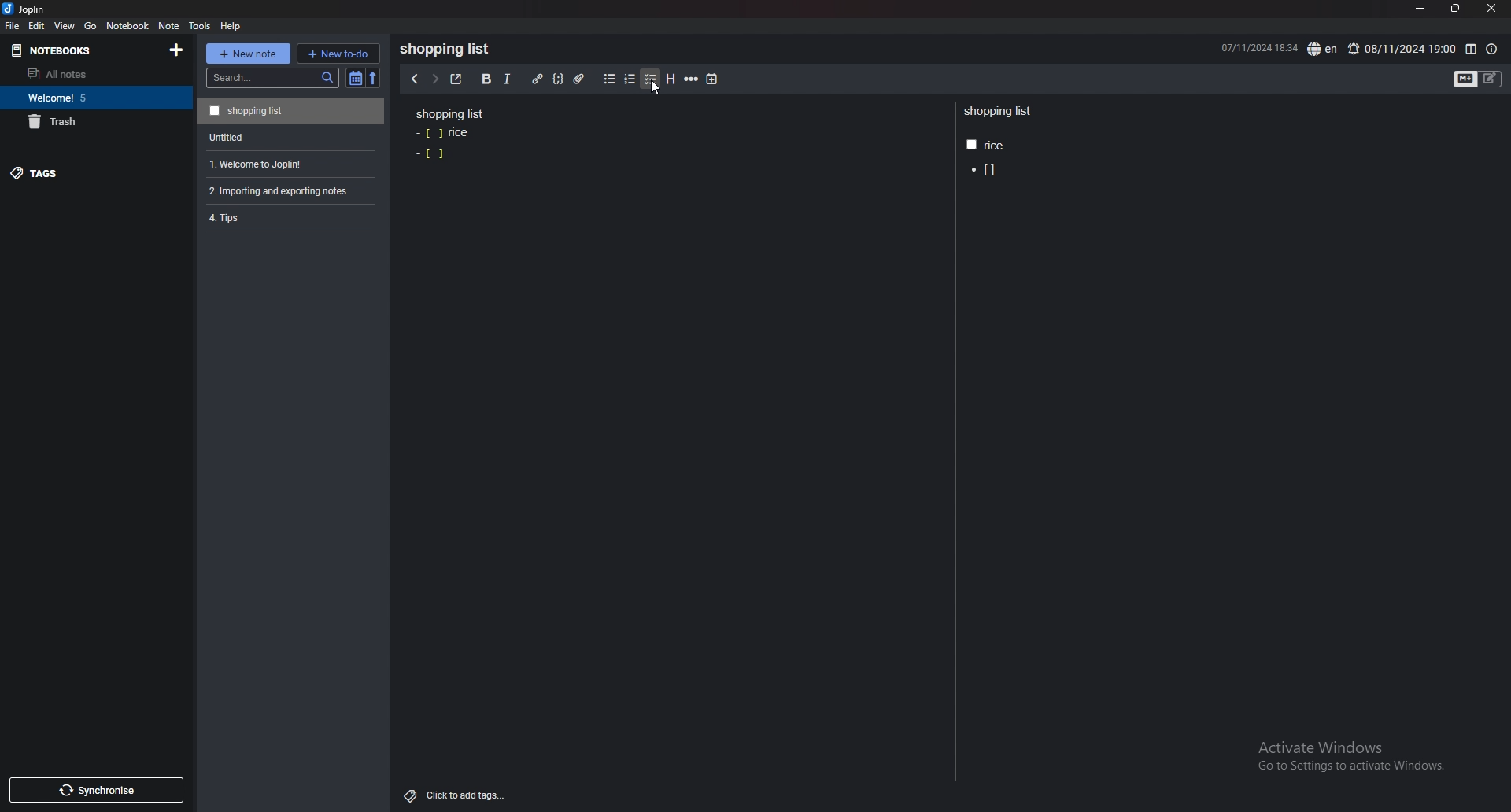  Describe the element at coordinates (691, 79) in the screenshot. I see `horizontal rule` at that location.